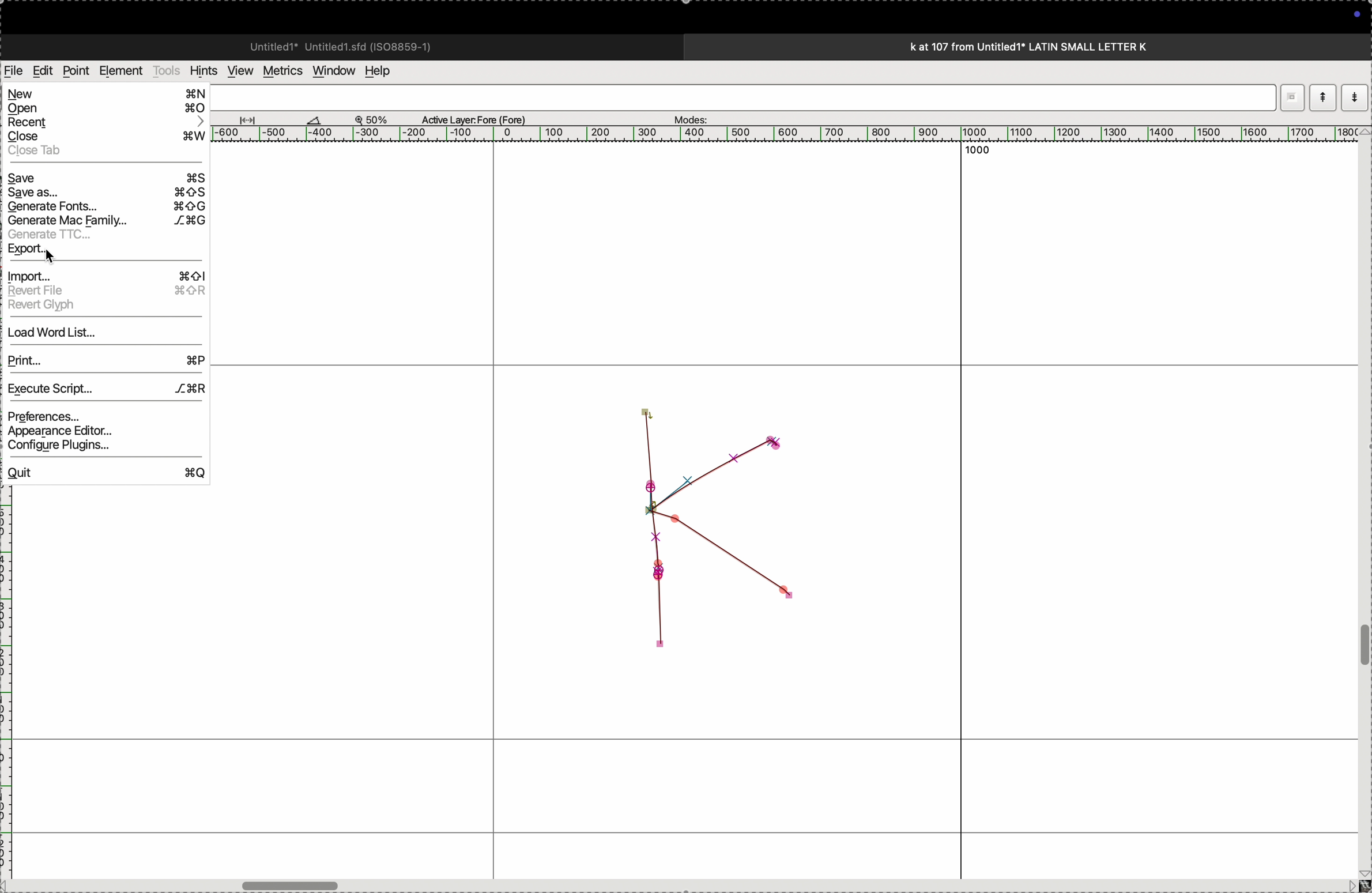  I want to click on 1000, so click(985, 153).